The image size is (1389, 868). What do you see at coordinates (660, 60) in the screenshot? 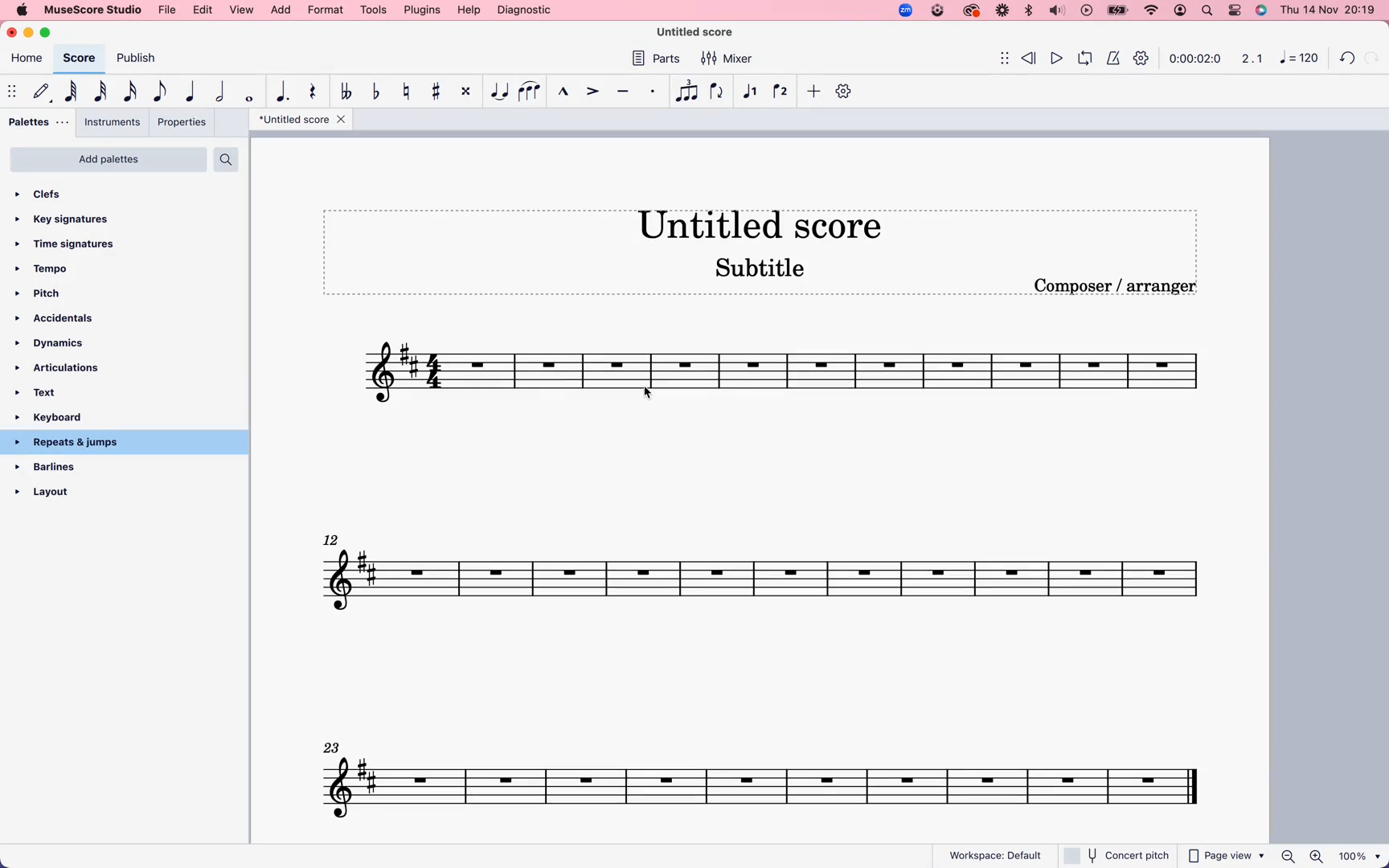
I see `parts` at bounding box center [660, 60].